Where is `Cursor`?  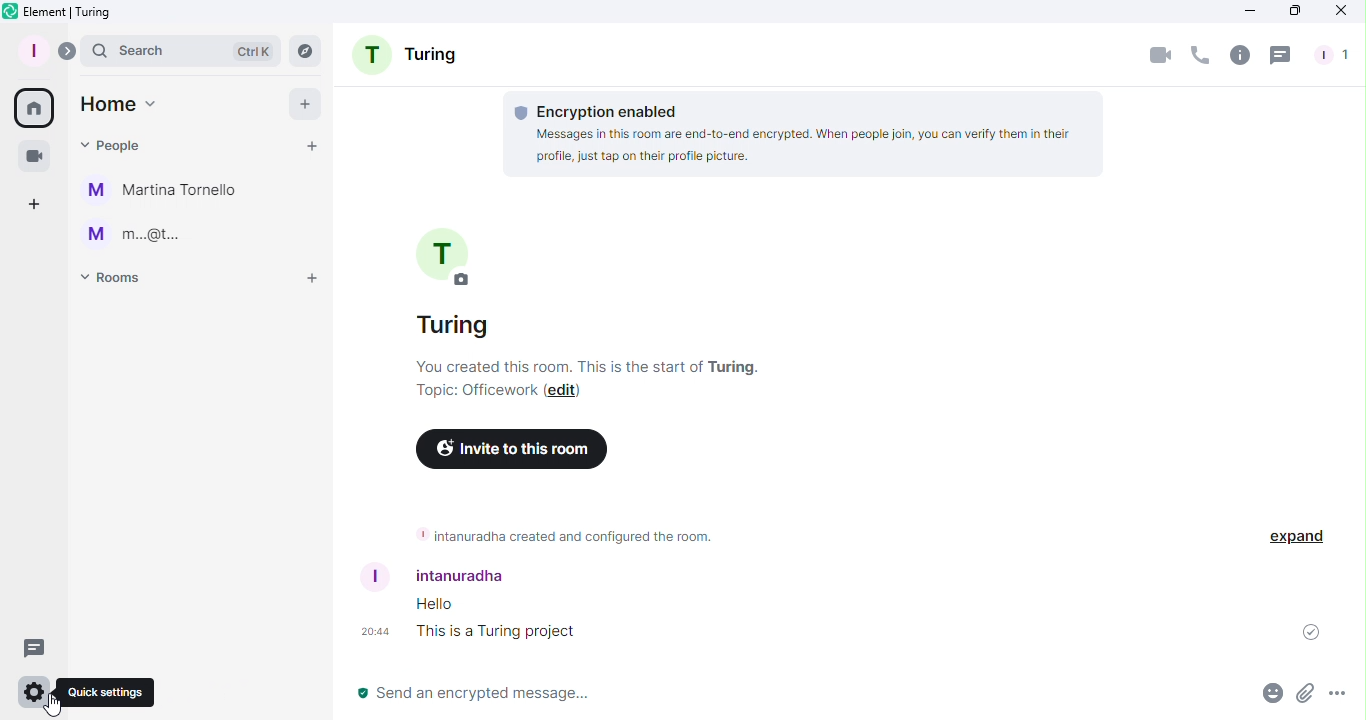
Cursor is located at coordinates (55, 703).